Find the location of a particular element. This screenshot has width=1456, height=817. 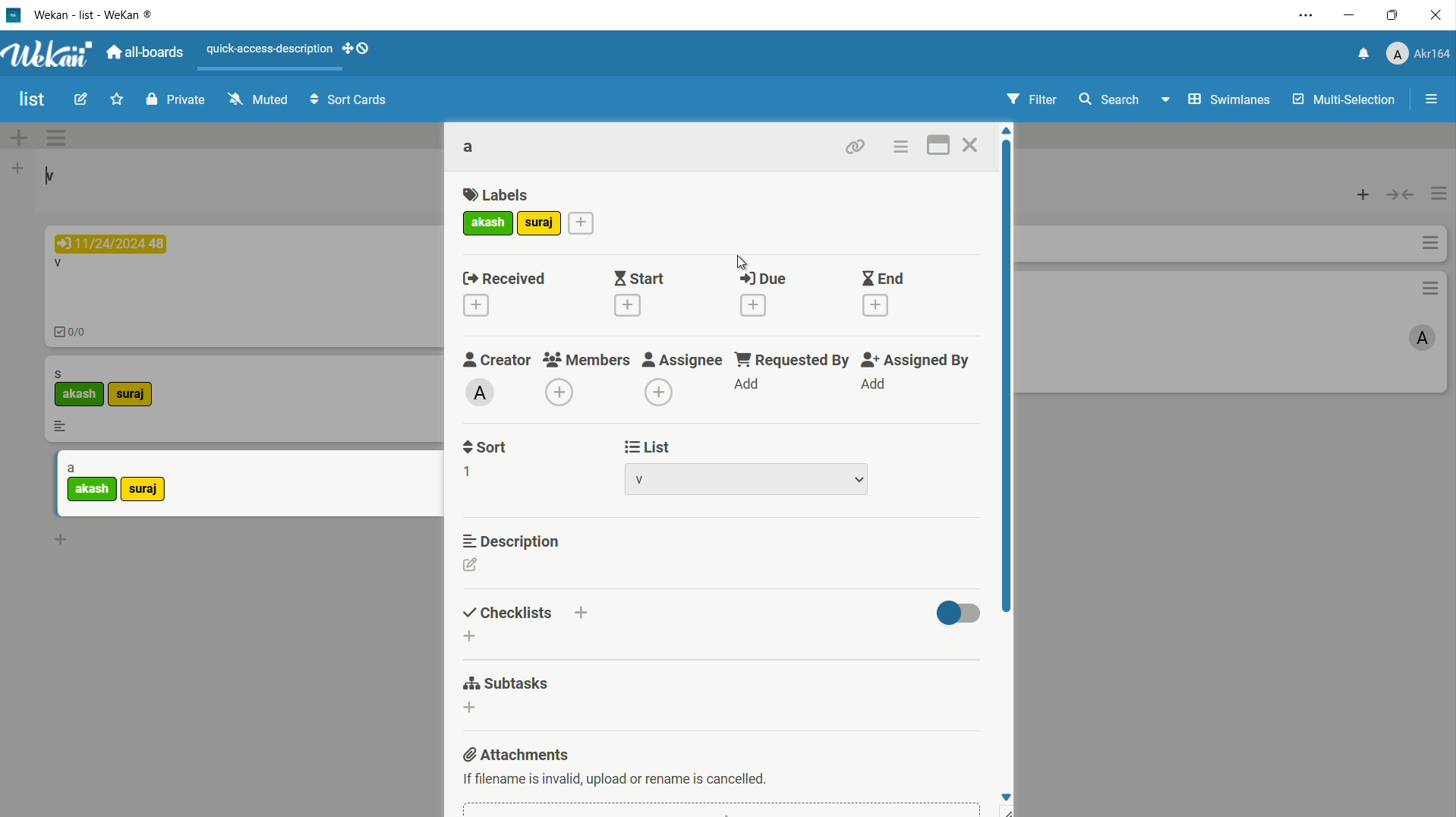

list is located at coordinates (649, 446).